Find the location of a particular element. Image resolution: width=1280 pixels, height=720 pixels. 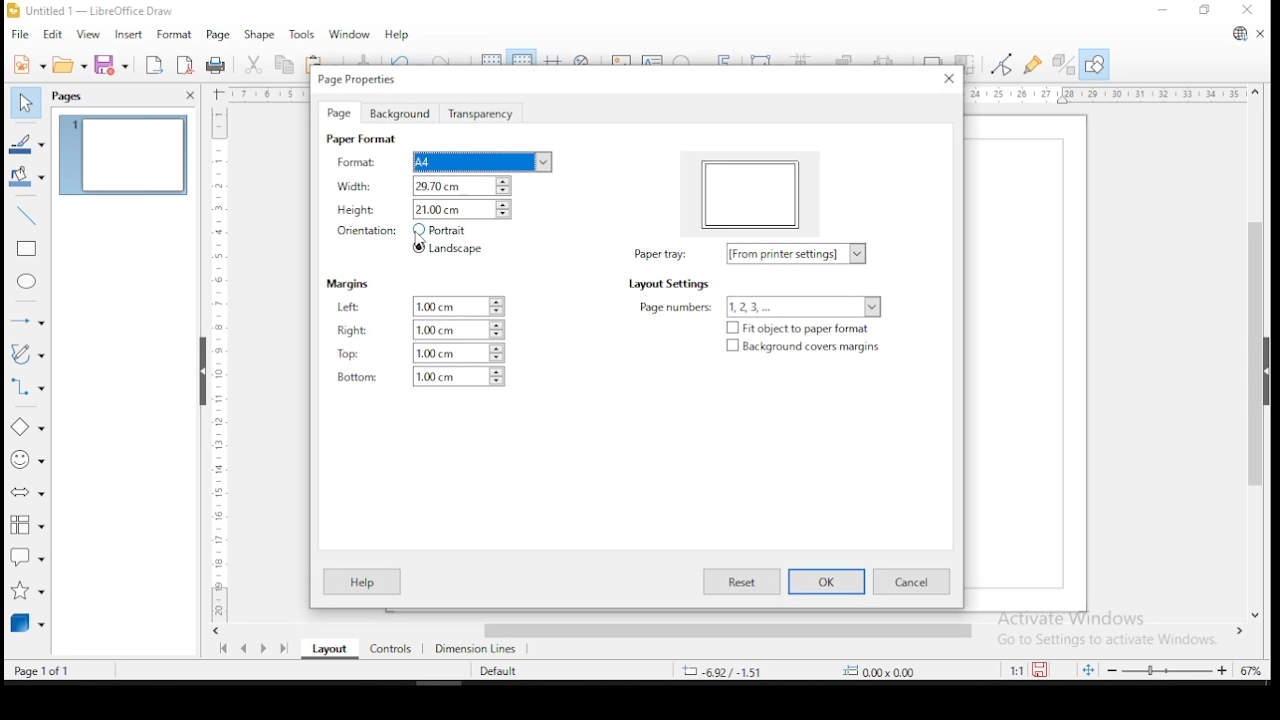

insert is located at coordinates (130, 36).